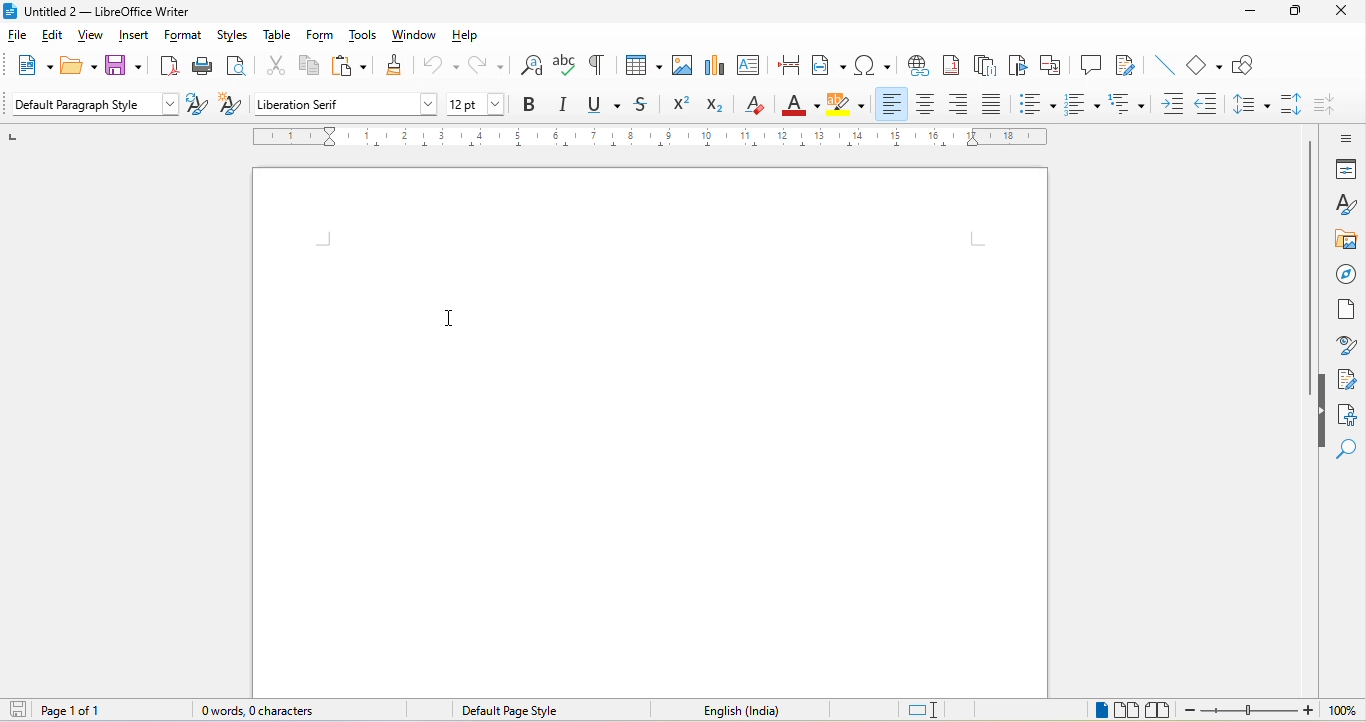  I want to click on align center, so click(924, 106).